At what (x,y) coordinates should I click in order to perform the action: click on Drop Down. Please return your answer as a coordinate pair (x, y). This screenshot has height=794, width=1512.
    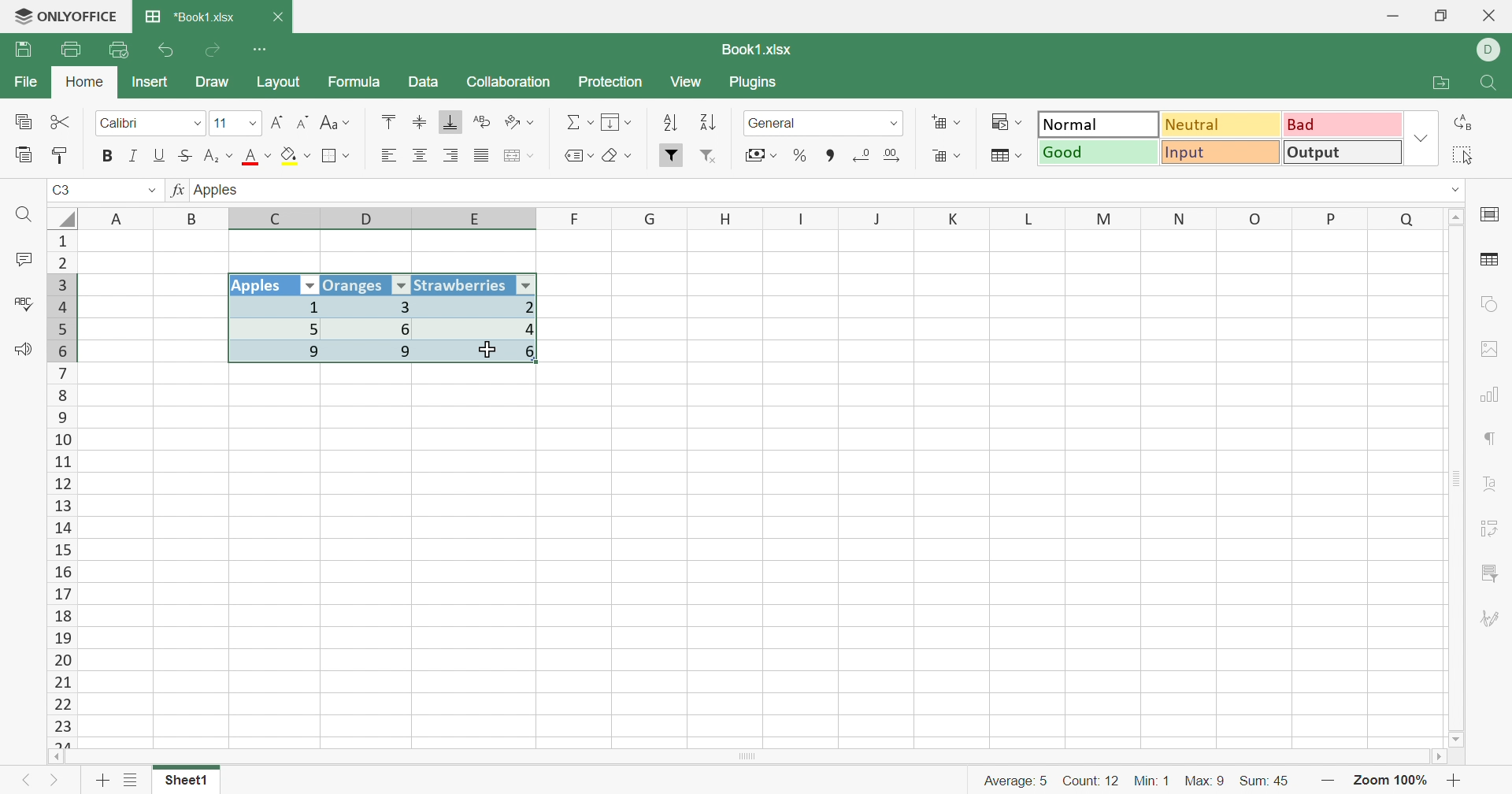
    Looking at the image, I should click on (195, 124).